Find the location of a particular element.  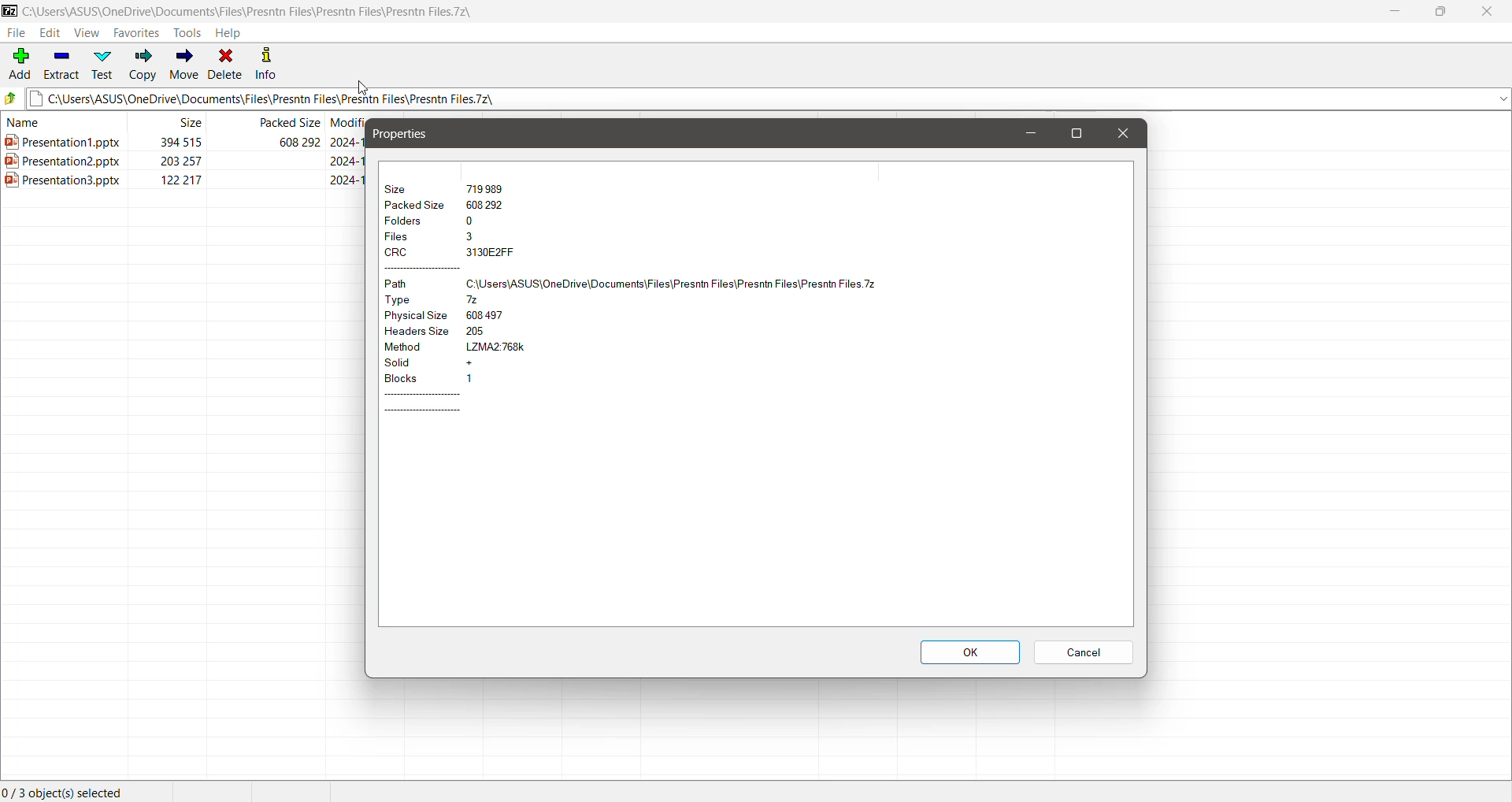

Test is located at coordinates (104, 64).